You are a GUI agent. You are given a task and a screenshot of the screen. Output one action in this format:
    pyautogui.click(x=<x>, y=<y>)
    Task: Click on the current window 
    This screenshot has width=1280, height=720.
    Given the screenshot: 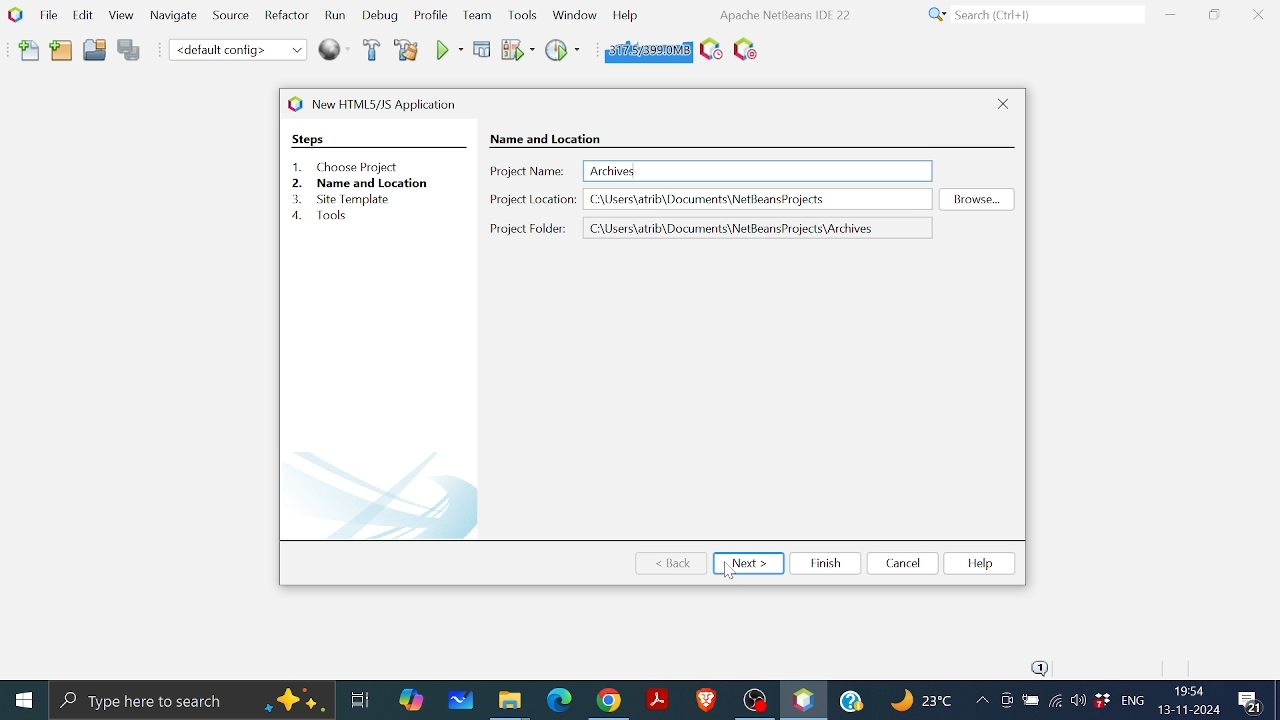 What is the action you would take?
    pyautogui.click(x=390, y=103)
    